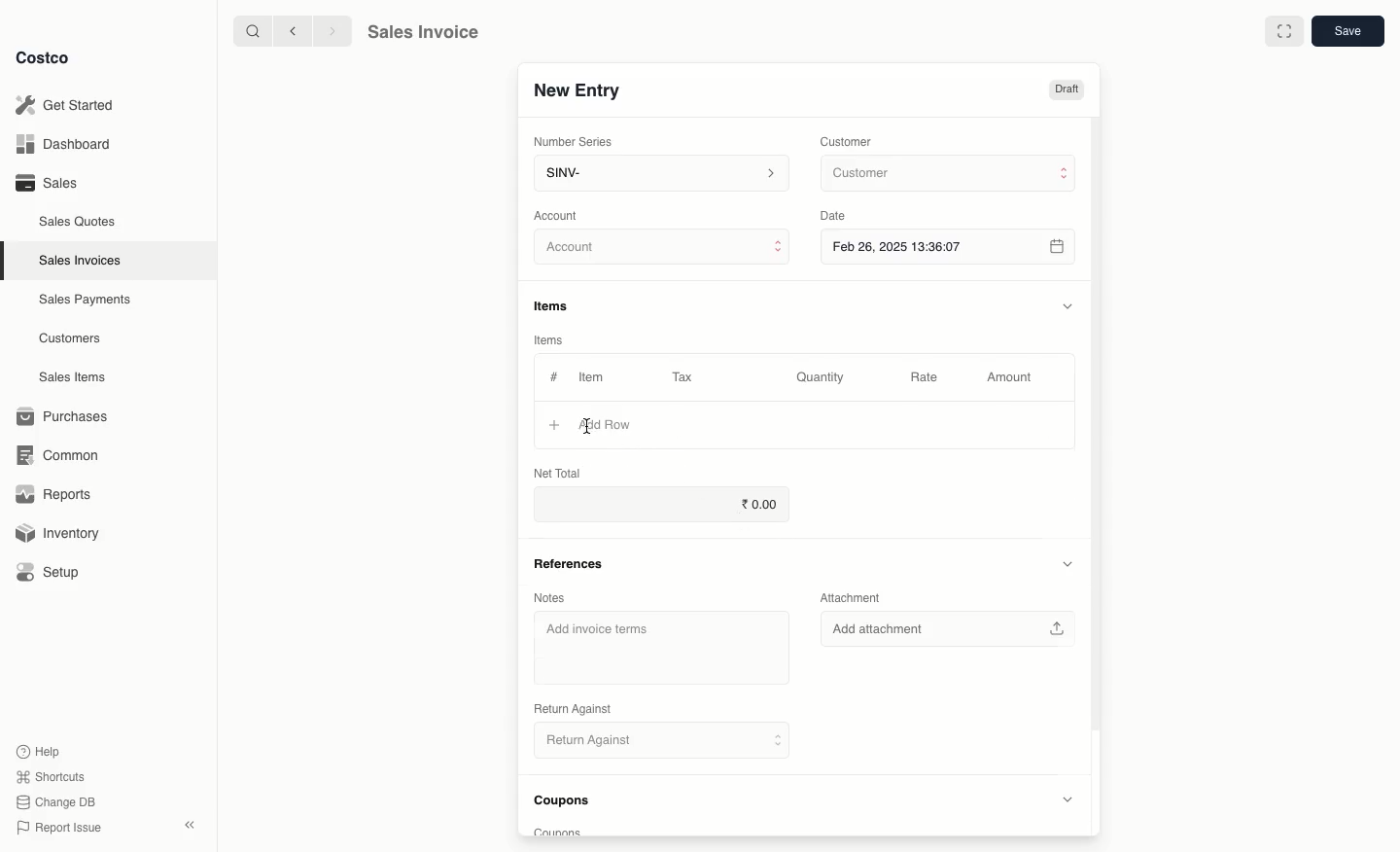  I want to click on Report Issue, so click(55, 828).